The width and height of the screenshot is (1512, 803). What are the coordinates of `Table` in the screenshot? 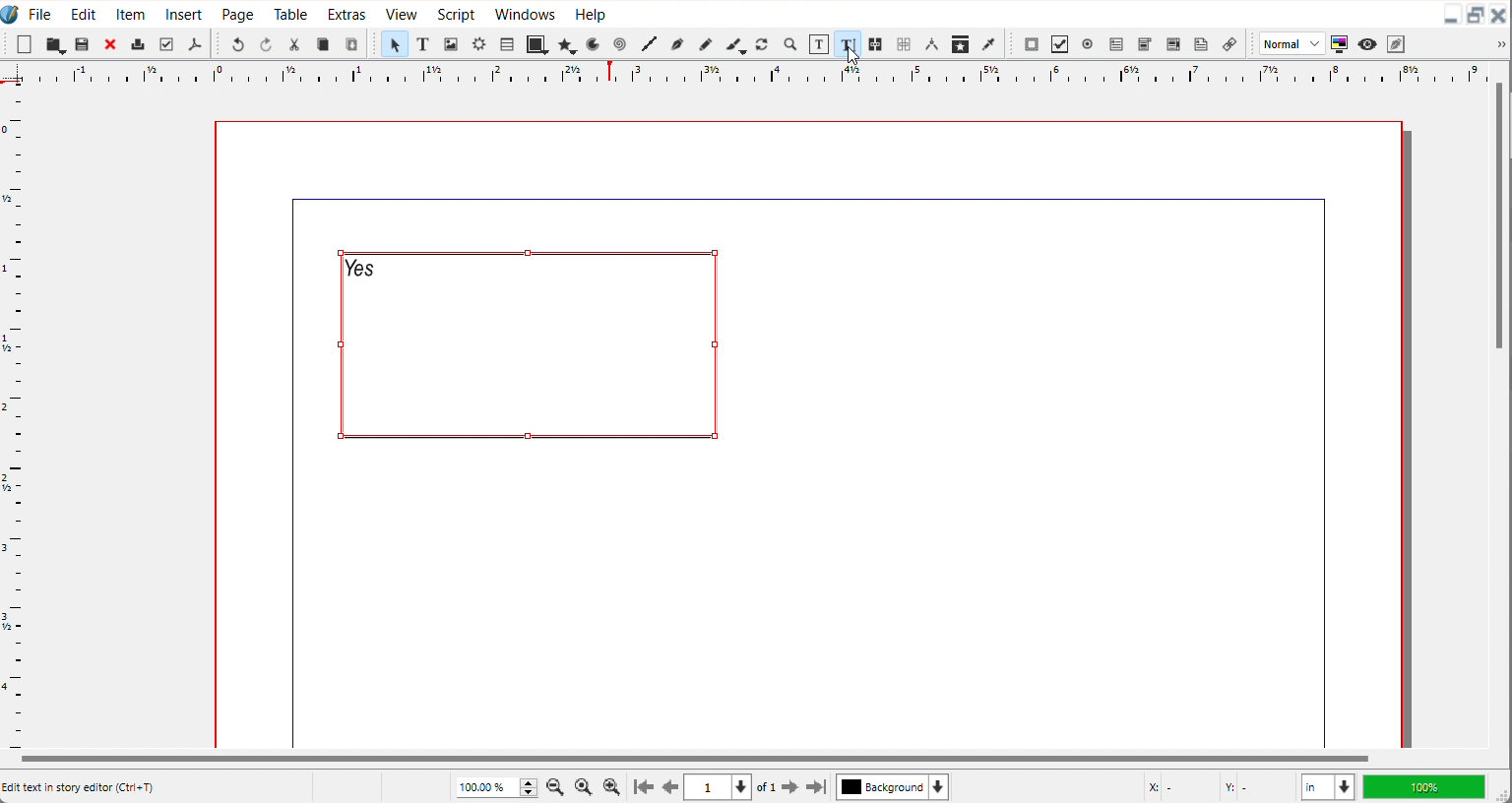 It's located at (291, 13).